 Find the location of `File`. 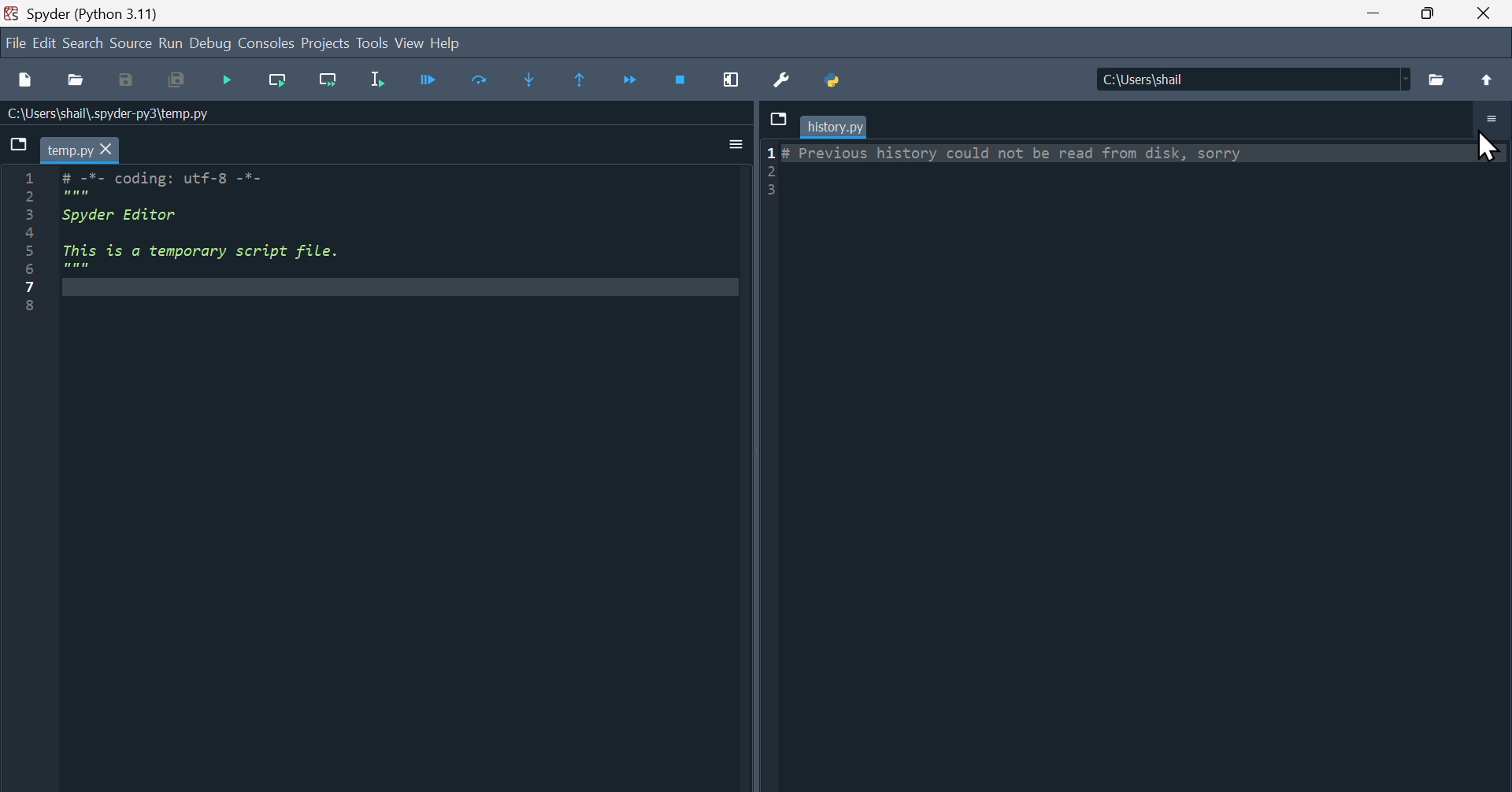

File is located at coordinates (13, 43).